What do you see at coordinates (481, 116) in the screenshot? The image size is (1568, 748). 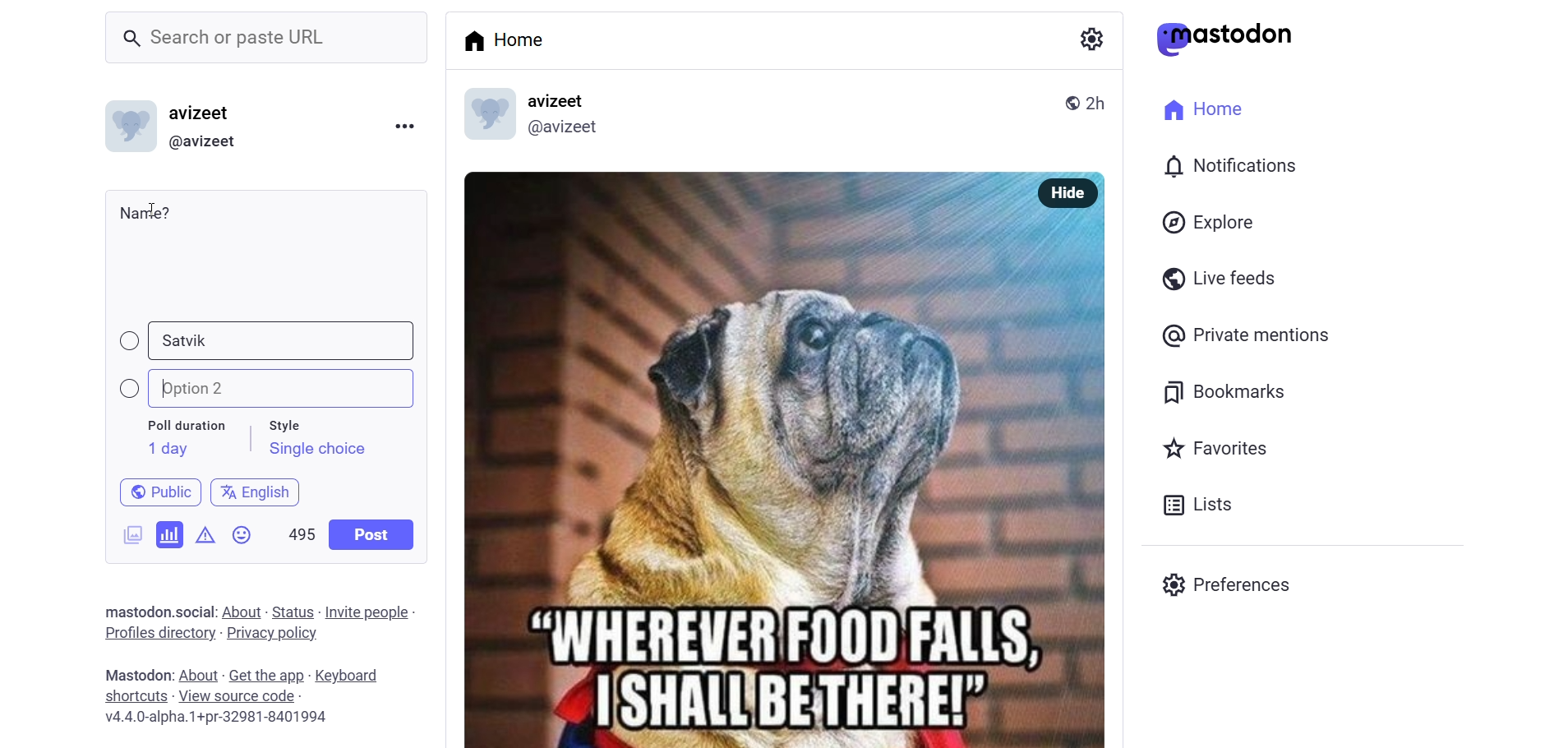 I see `display picture` at bounding box center [481, 116].